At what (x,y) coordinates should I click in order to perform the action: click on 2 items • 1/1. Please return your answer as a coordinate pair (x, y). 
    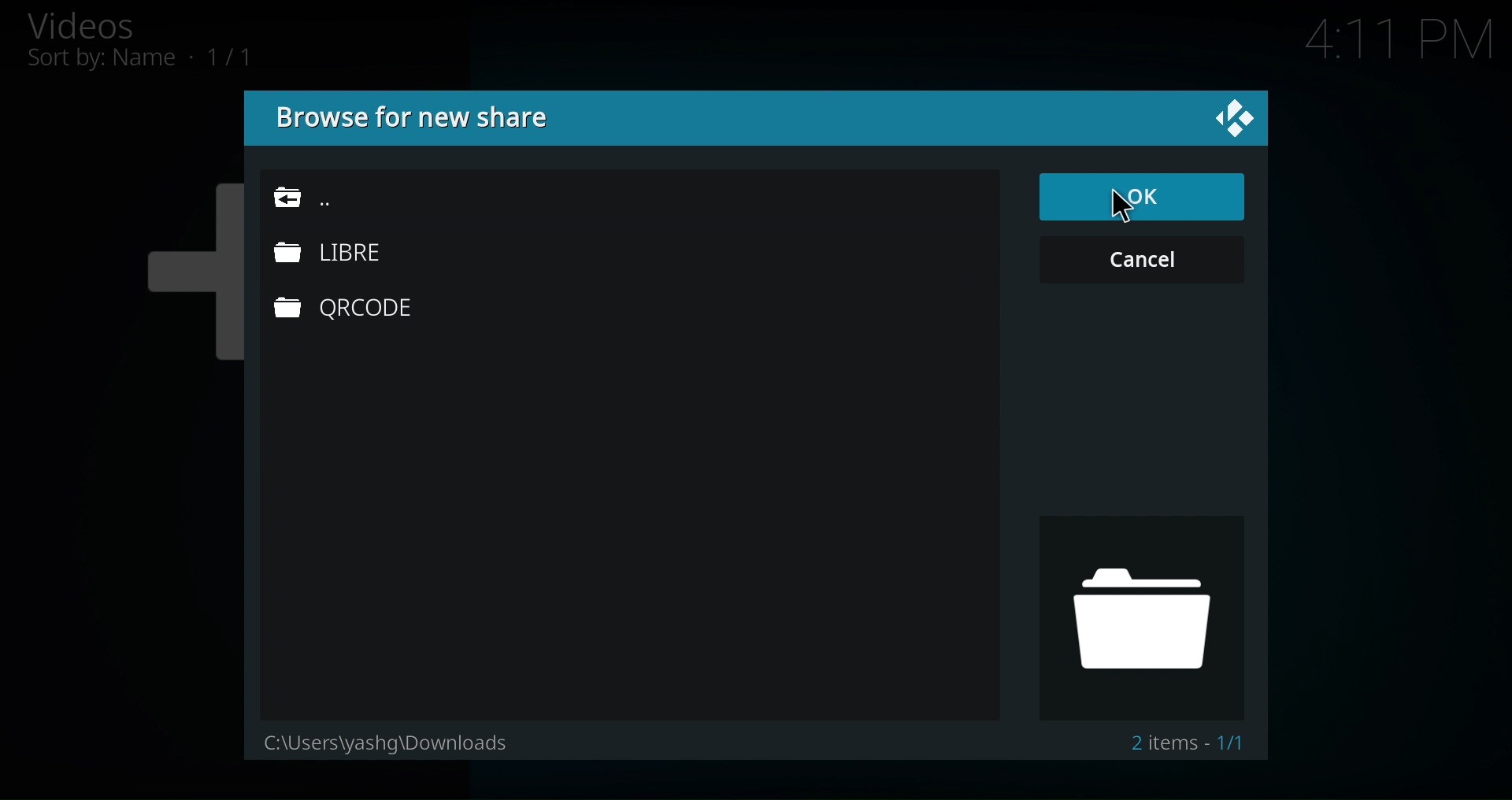
    Looking at the image, I should click on (1187, 743).